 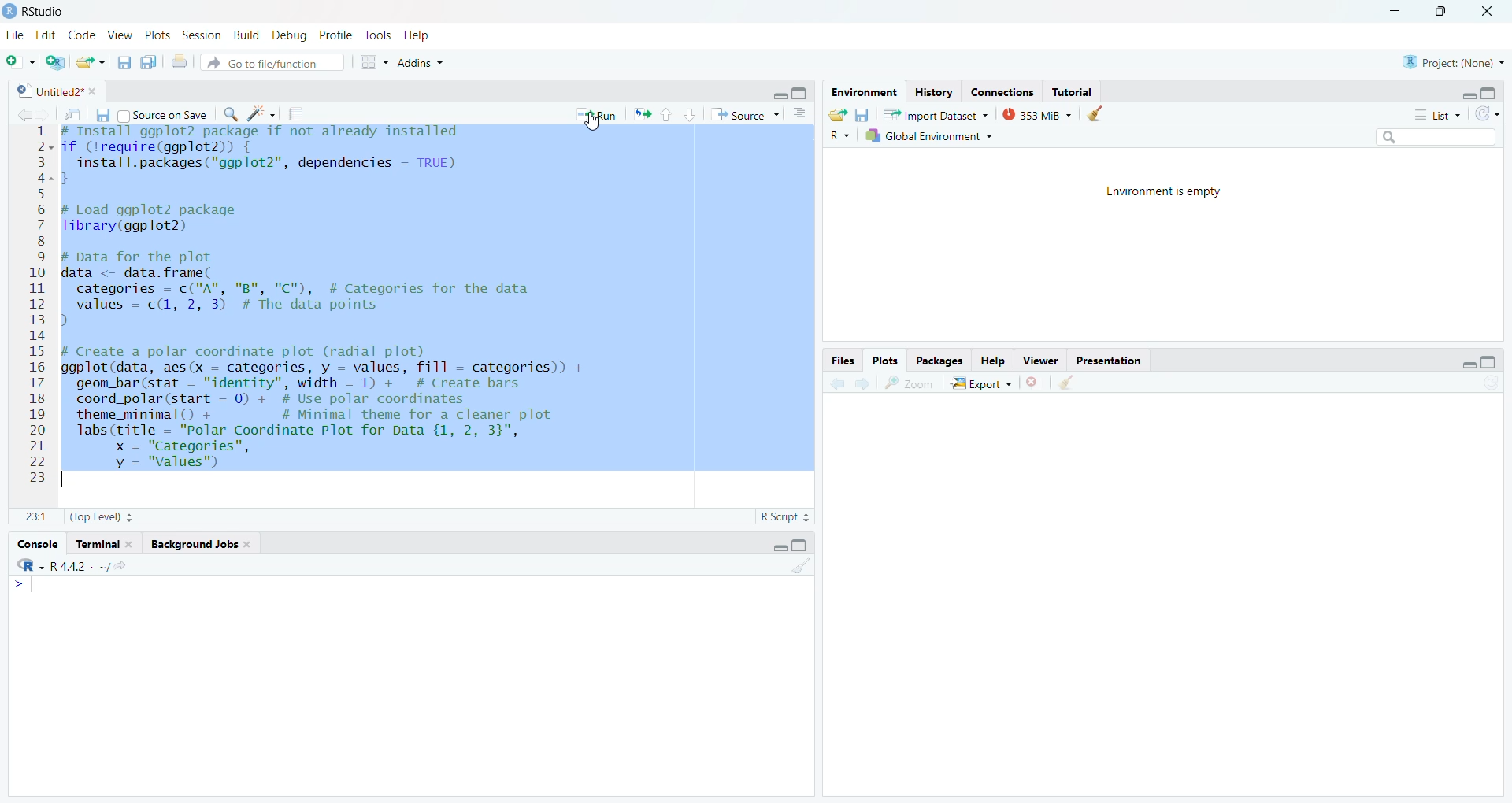 What do you see at coordinates (993, 361) in the screenshot?
I see `Help` at bounding box center [993, 361].